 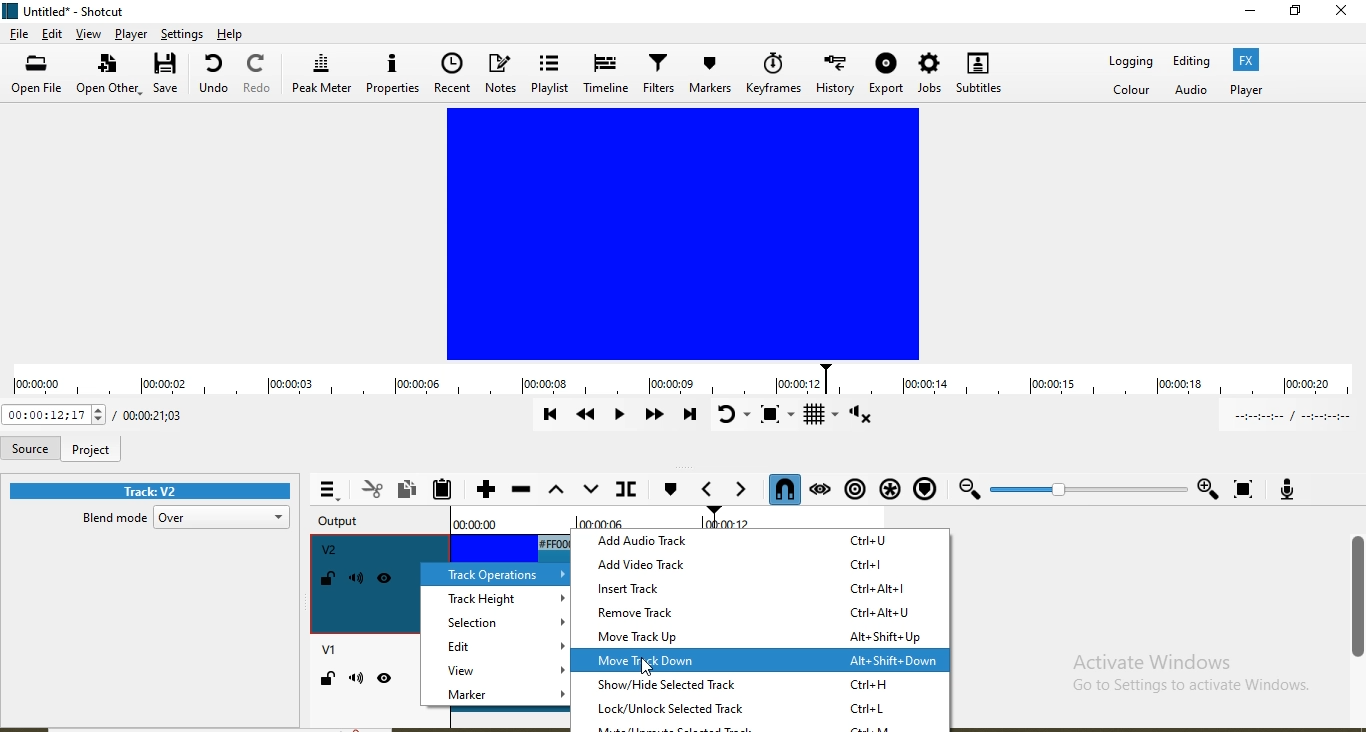 I want to click on Skip to the next point , so click(x=687, y=416).